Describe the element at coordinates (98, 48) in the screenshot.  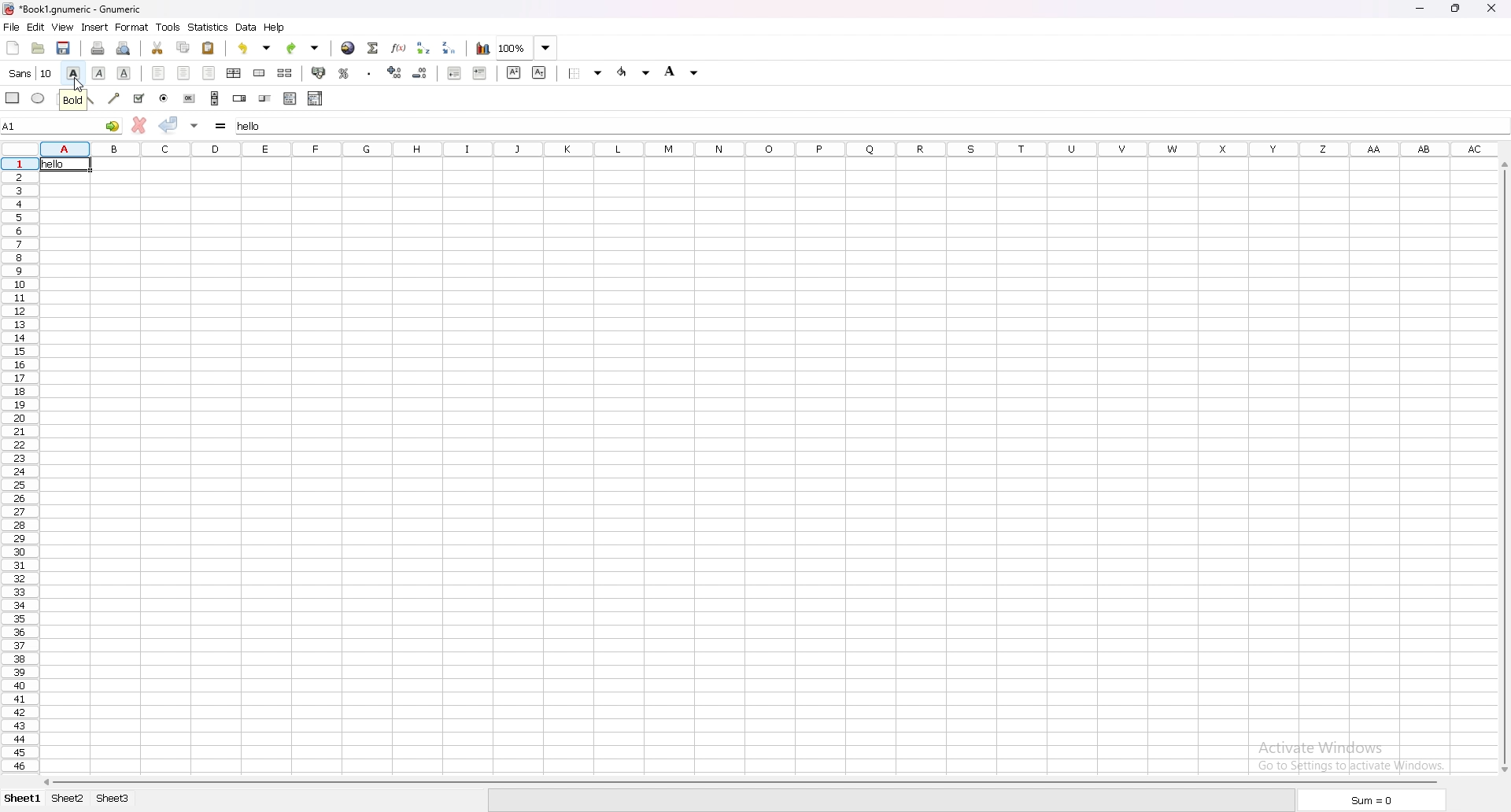
I see `print` at that location.